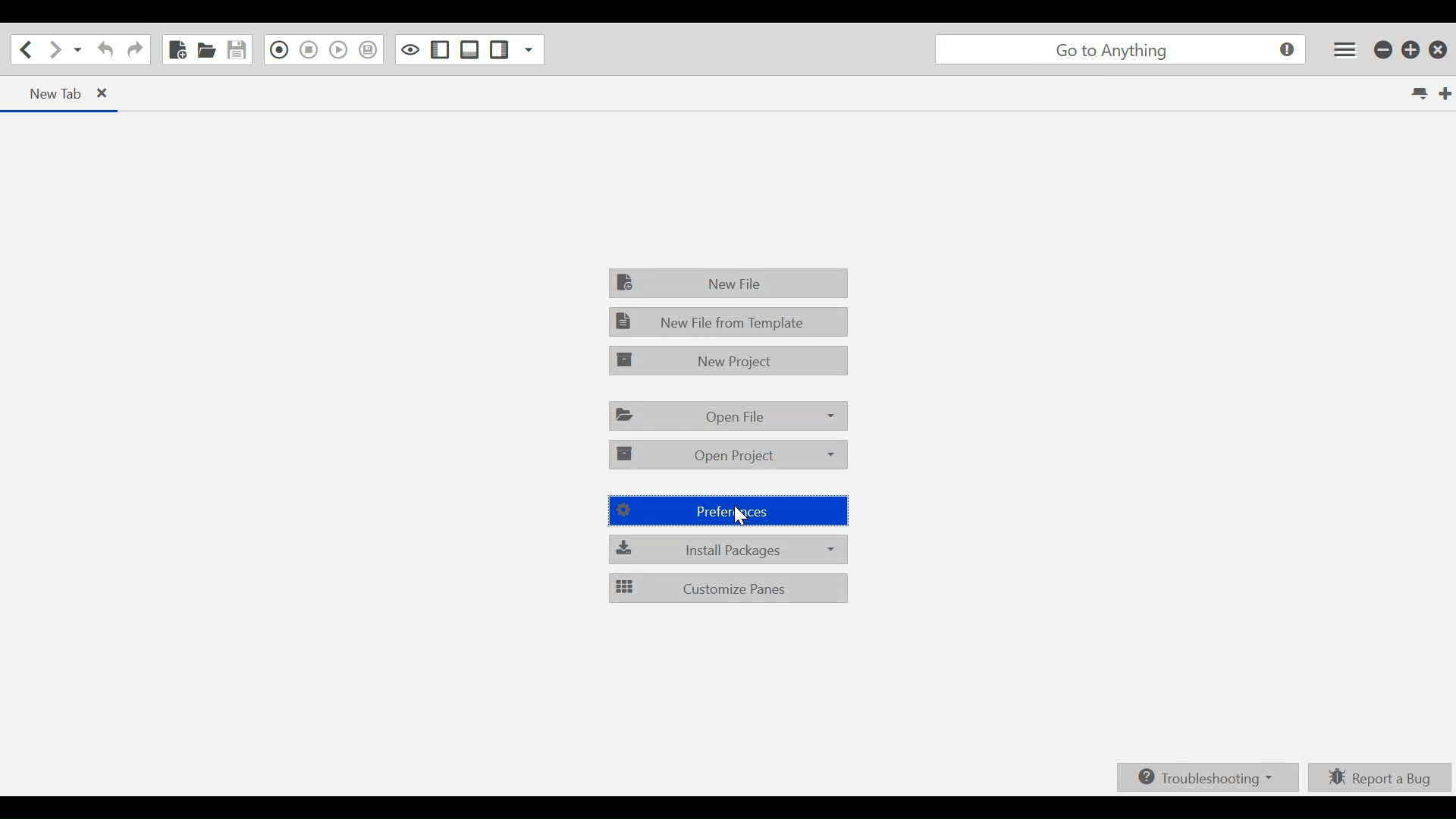  I want to click on Record in Macro, so click(277, 50).